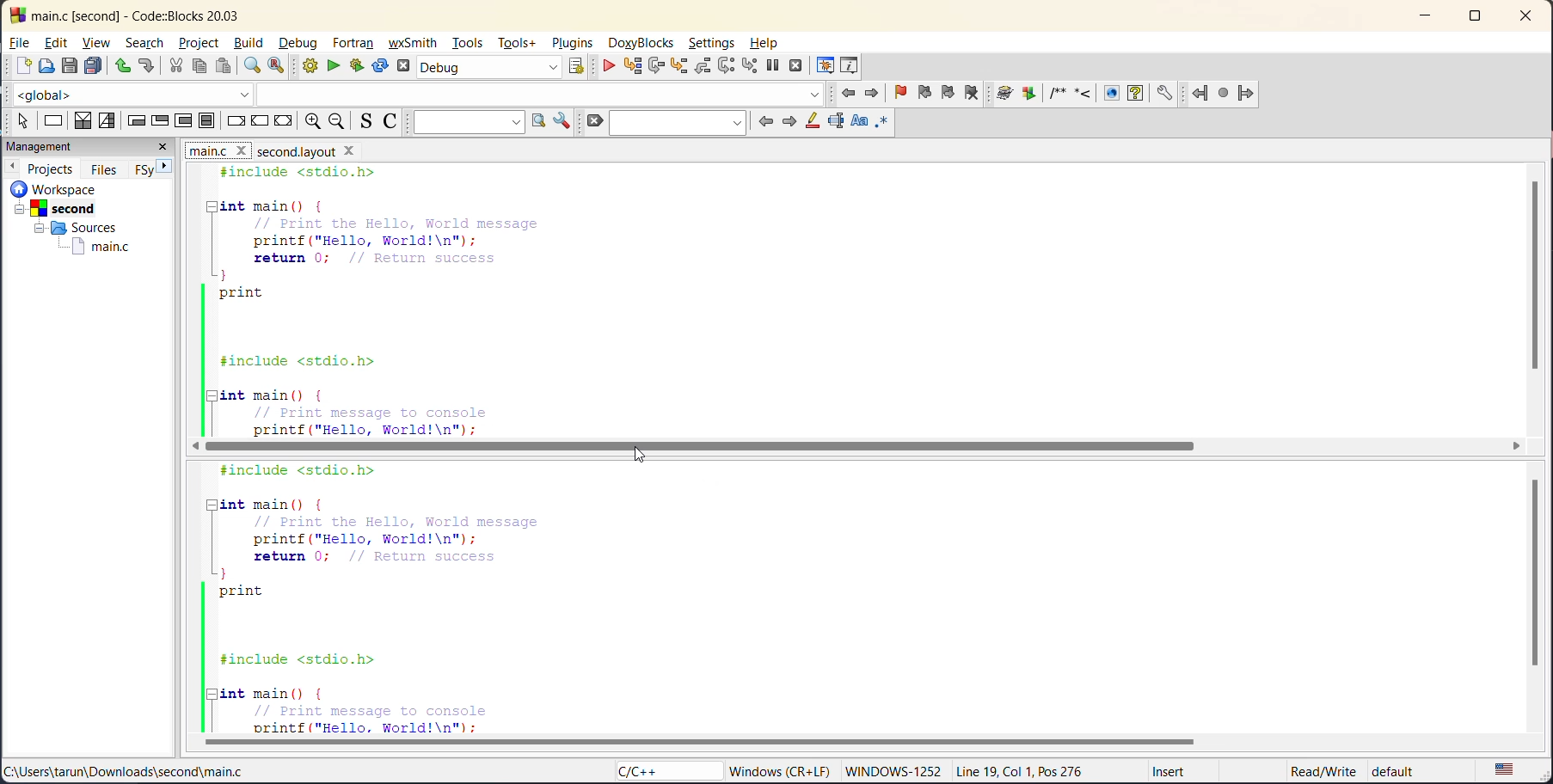  What do you see at coordinates (1248, 94) in the screenshot?
I see `jump forward` at bounding box center [1248, 94].